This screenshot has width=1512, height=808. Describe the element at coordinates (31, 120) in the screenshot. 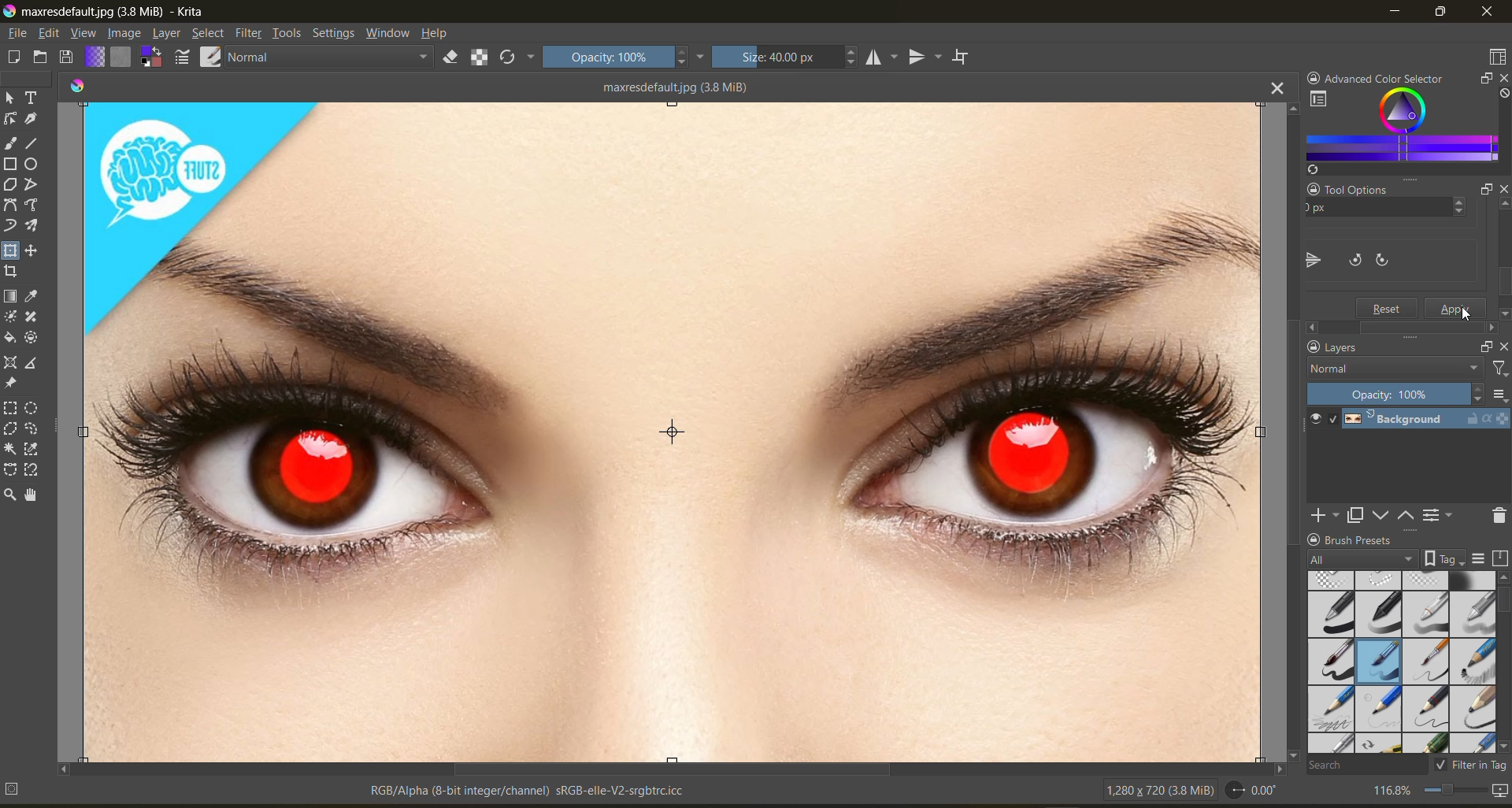

I see `tool` at that location.